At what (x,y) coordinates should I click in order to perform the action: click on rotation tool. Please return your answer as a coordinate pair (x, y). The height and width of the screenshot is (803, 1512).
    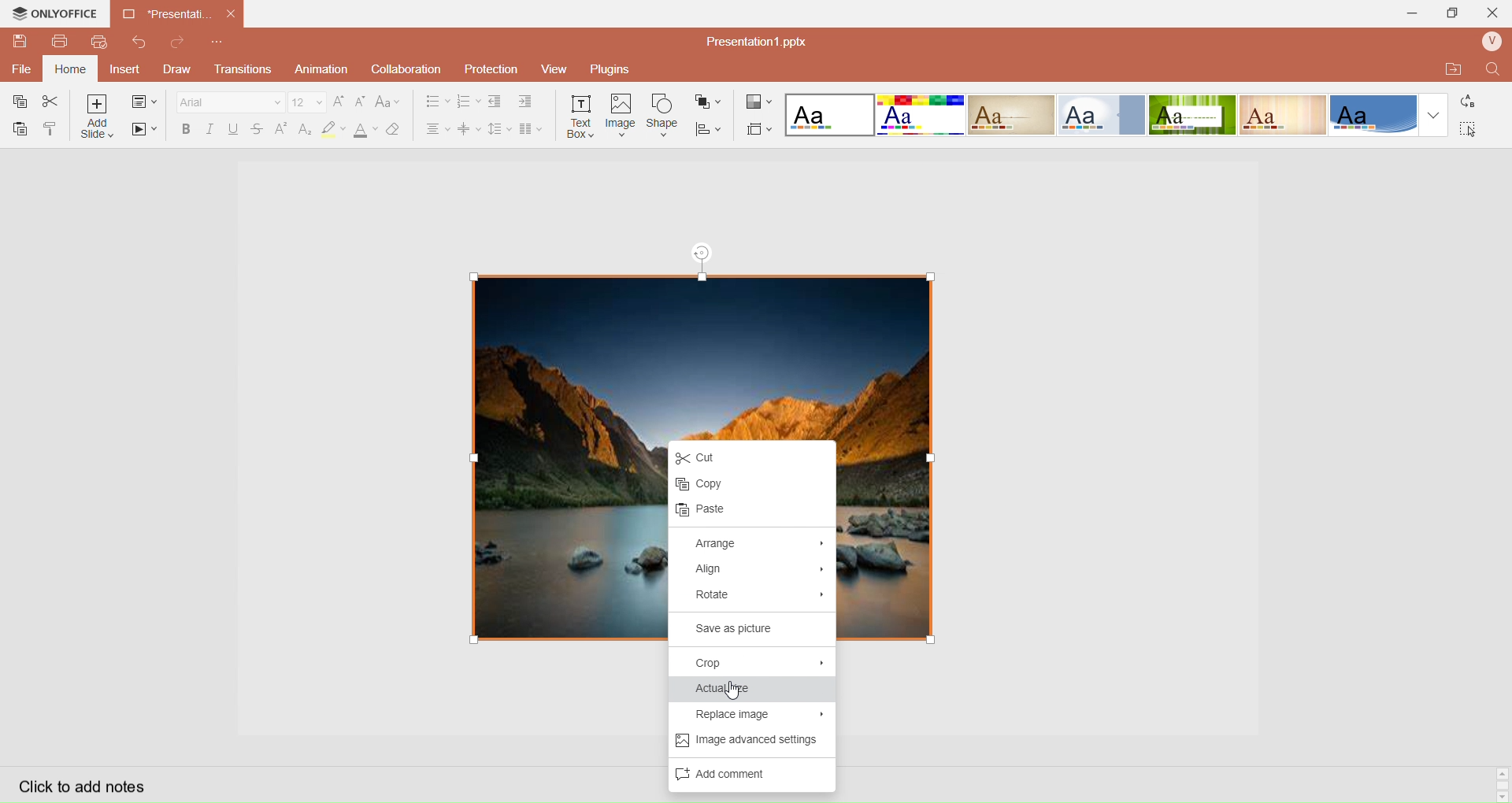
    Looking at the image, I should click on (703, 251).